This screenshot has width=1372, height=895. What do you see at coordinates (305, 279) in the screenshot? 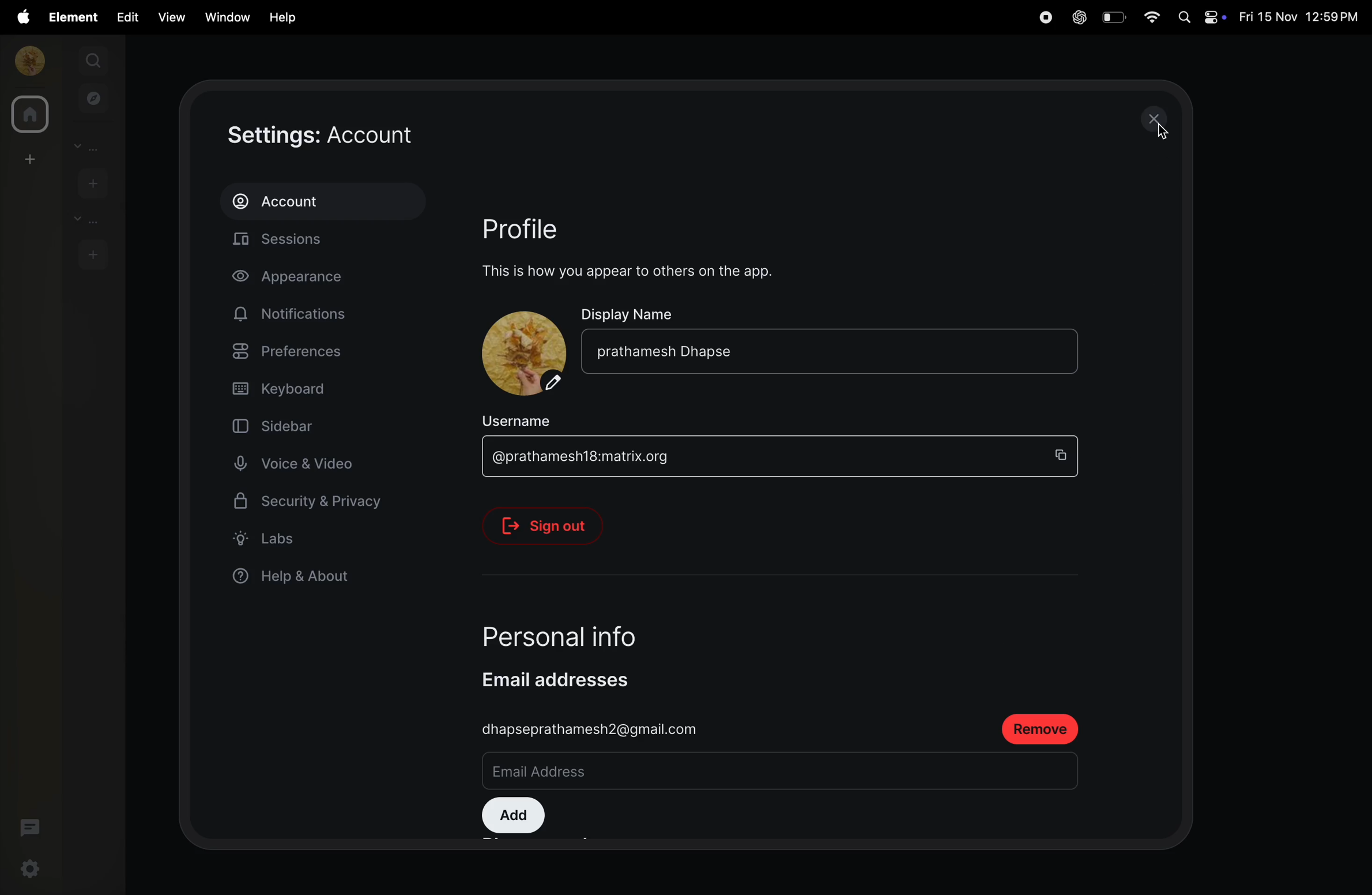
I see `apperance` at bounding box center [305, 279].